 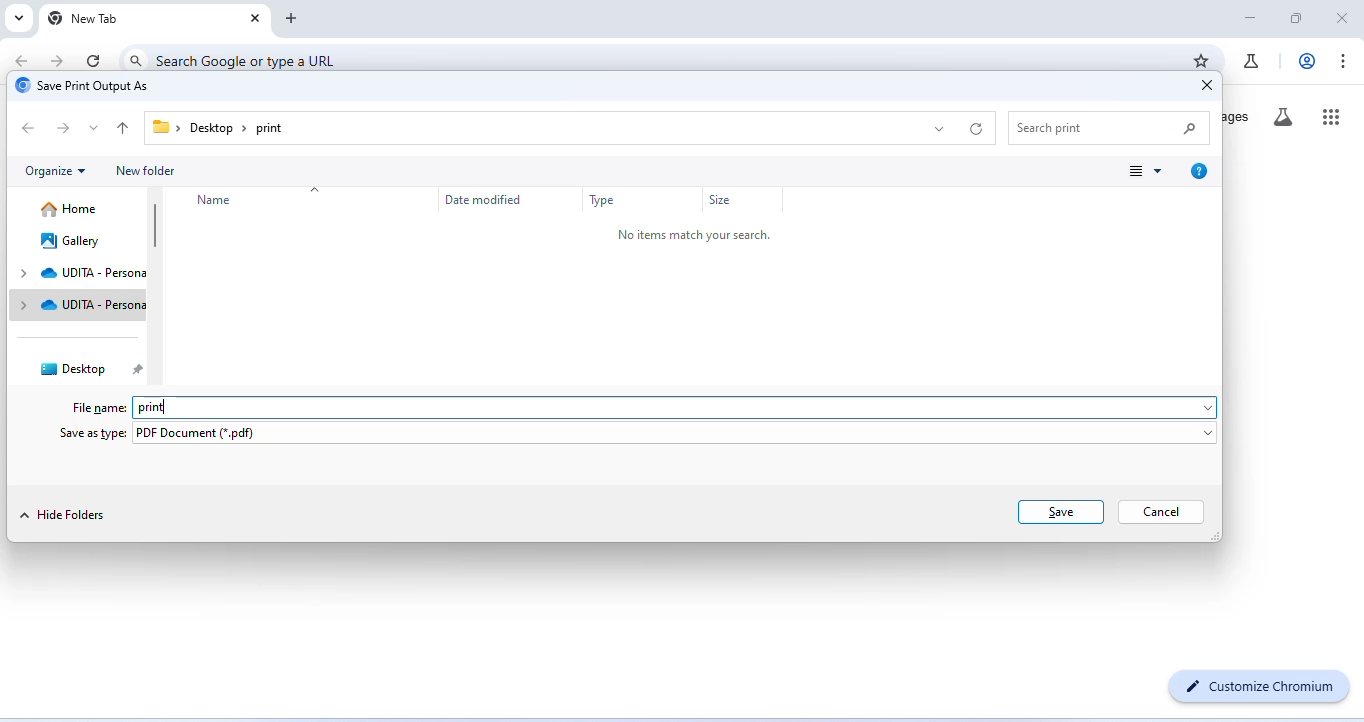 What do you see at coordinates (1332, 115) in the screenshot?
I see `google apps` at bounding box center [1332, 115].